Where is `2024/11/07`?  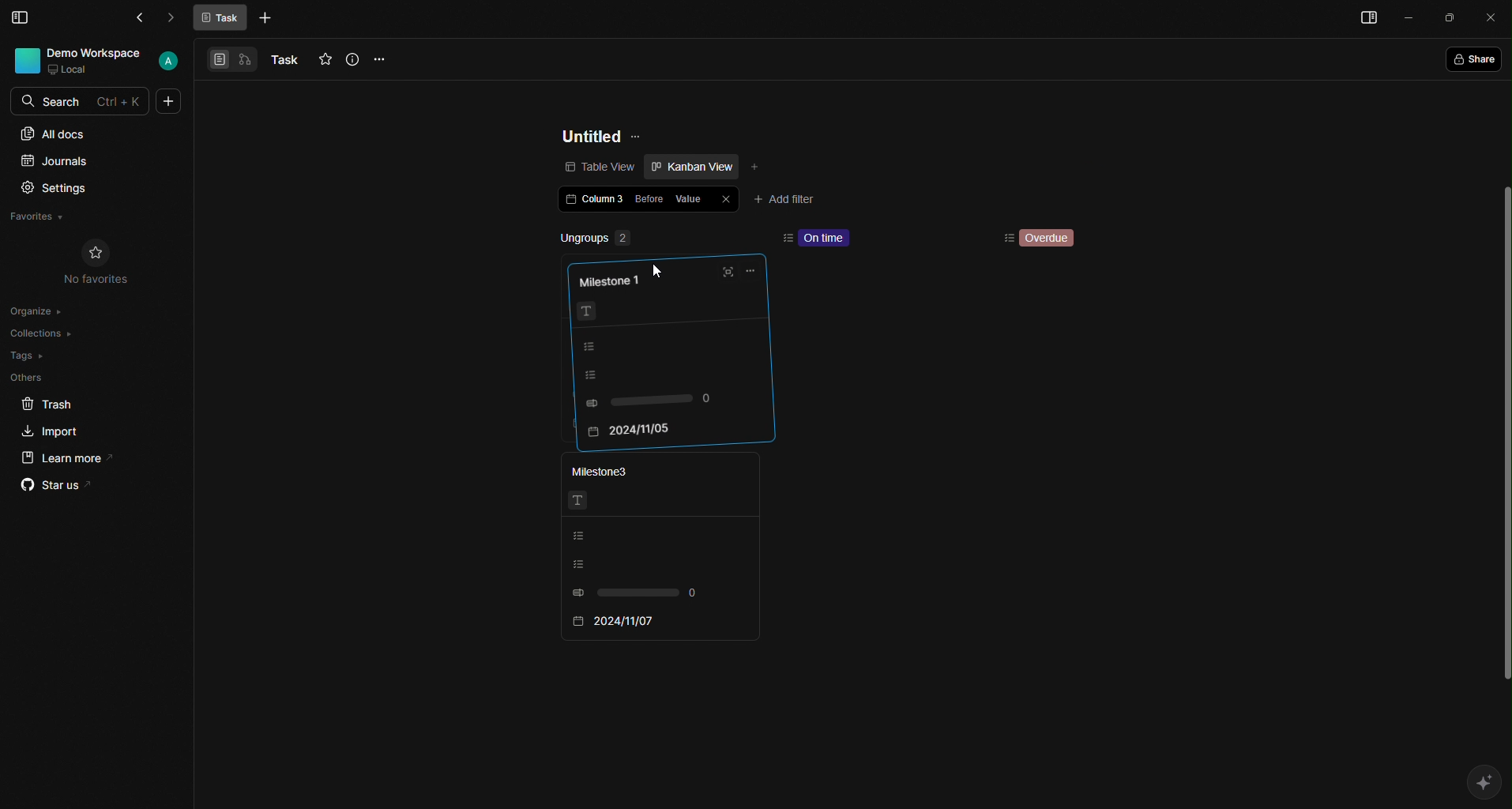 2024/11/07 is located at coordinates (615, 622).